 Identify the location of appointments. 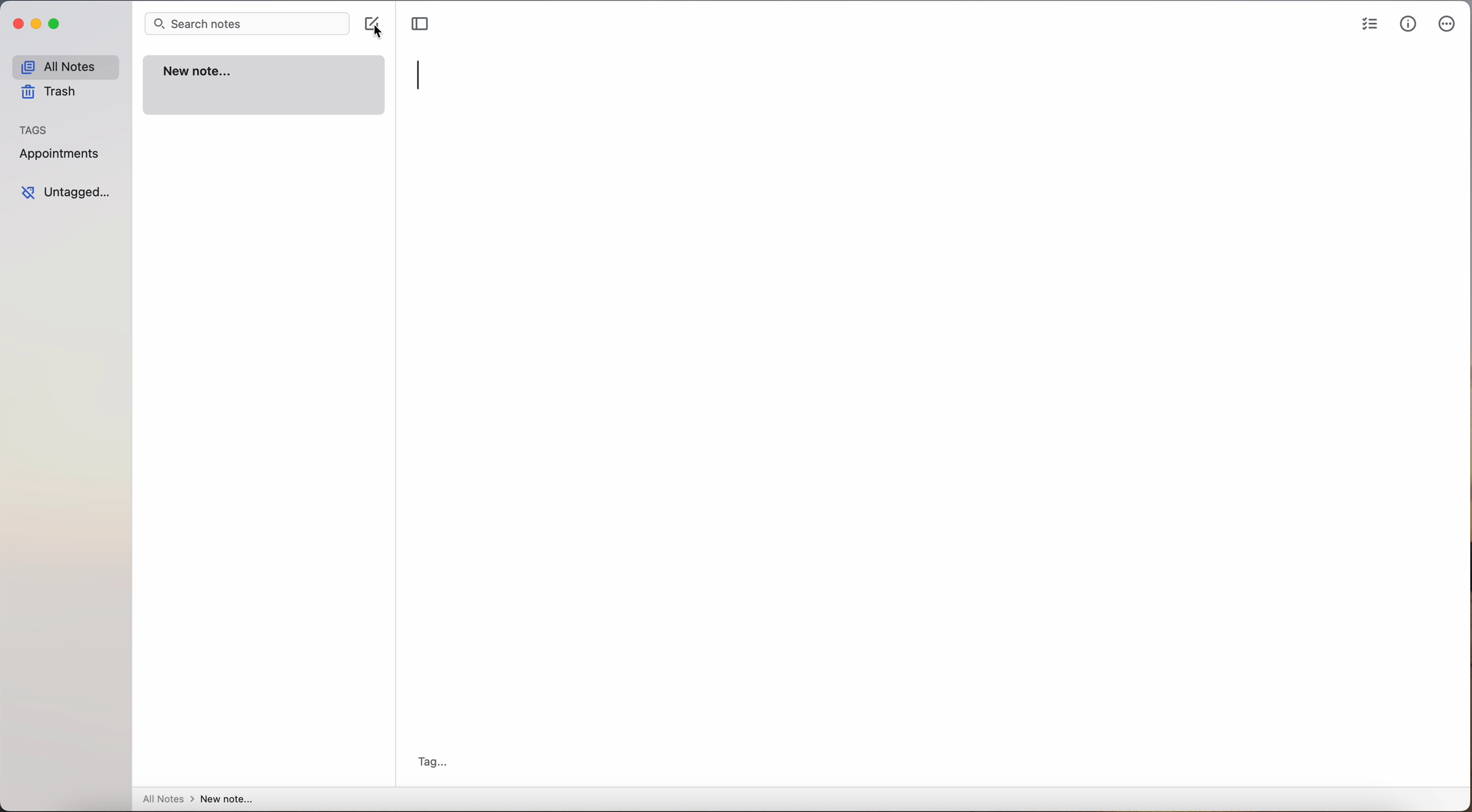
(61, 154).